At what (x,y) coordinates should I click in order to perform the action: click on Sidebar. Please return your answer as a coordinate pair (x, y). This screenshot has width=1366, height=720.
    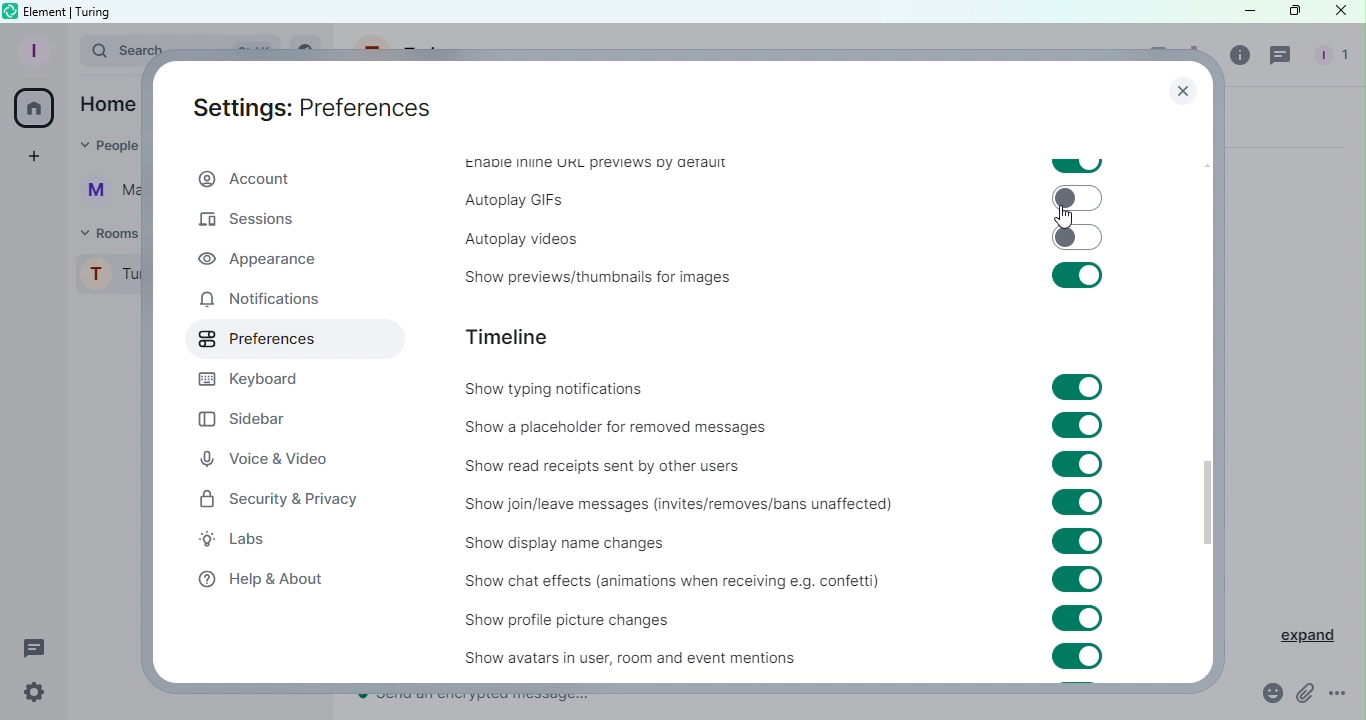
    Looking at the image, I should click on (257, 414).